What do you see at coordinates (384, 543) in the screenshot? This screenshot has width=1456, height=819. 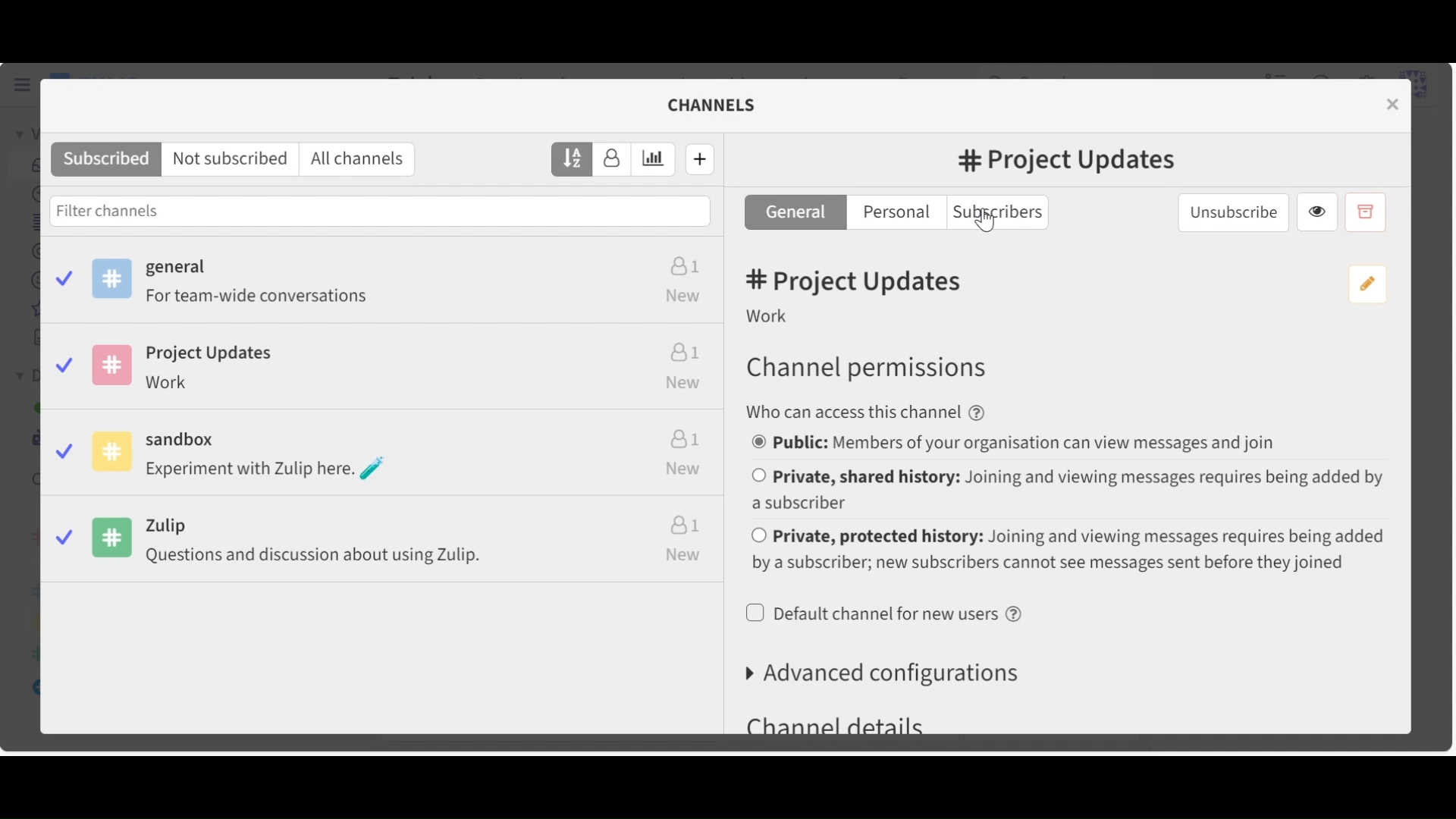 I see `Zulip` at bounding box center [384, 543].